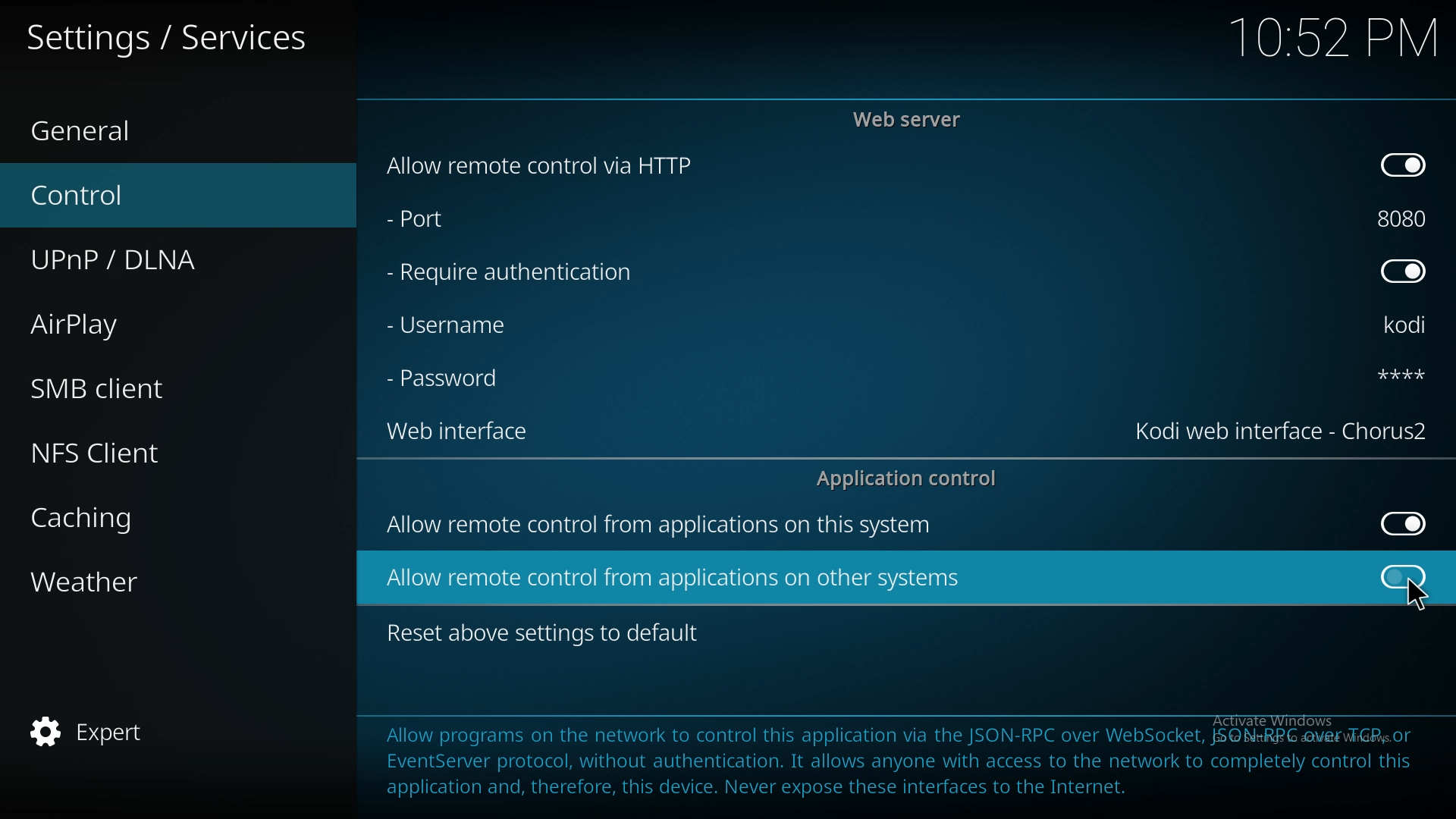 Image resolution: width=1456 pixels, height=819 pixels. What do you see at coordinates (1284, 431) in the screenshot?
I see `web interface` at bounding box center [1284, 431].